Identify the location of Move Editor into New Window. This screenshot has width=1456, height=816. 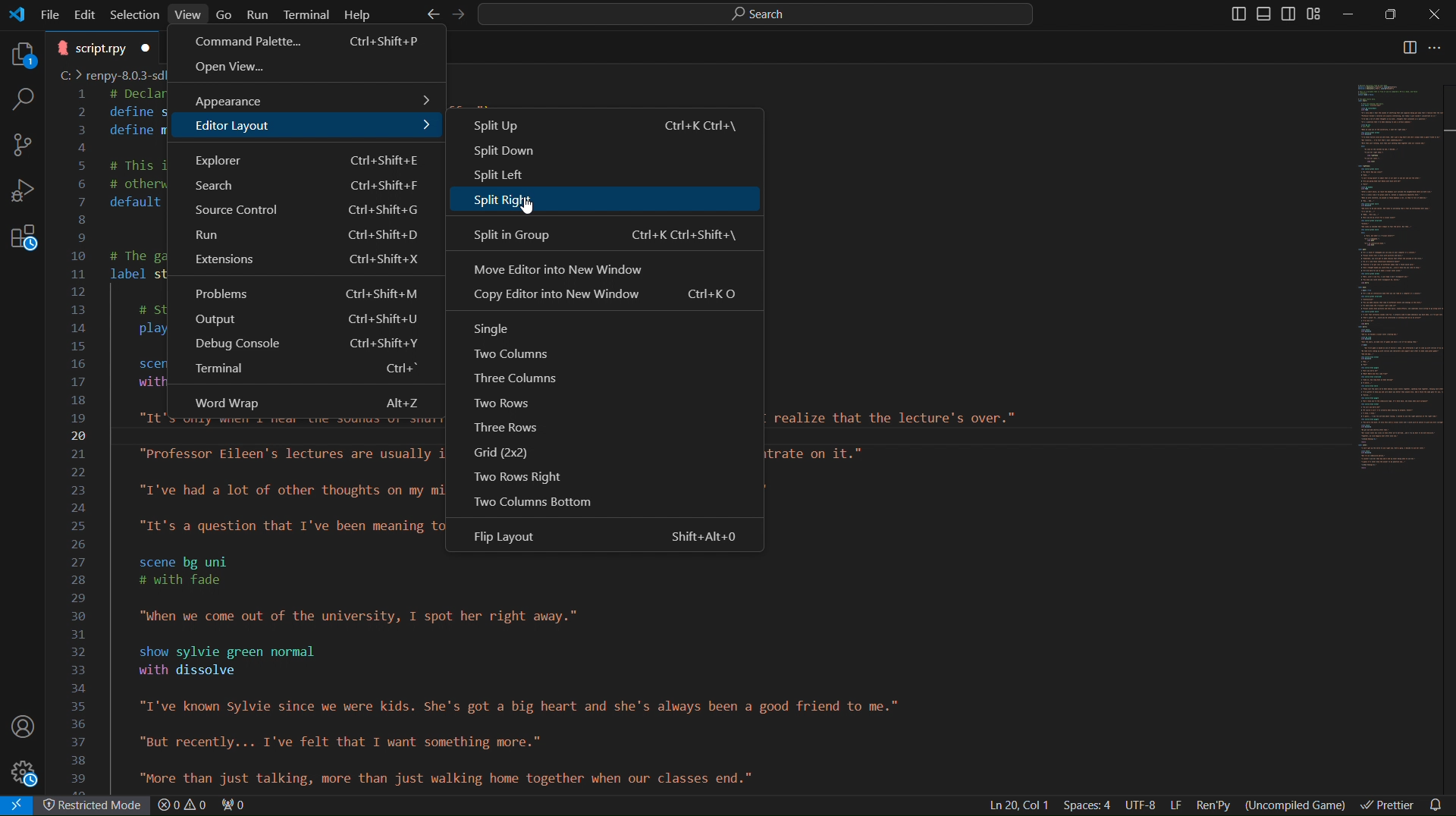
(607, 269).